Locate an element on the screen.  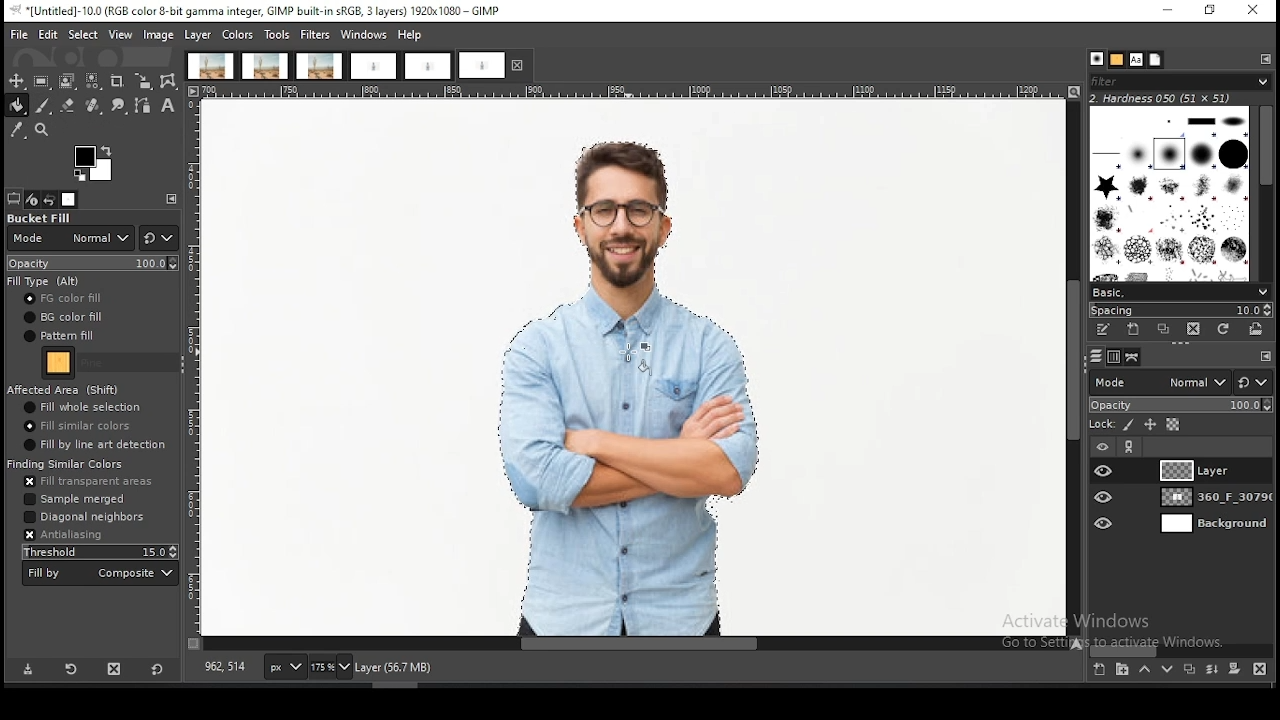
create a new layer group is located at coordinates (1121, 668).